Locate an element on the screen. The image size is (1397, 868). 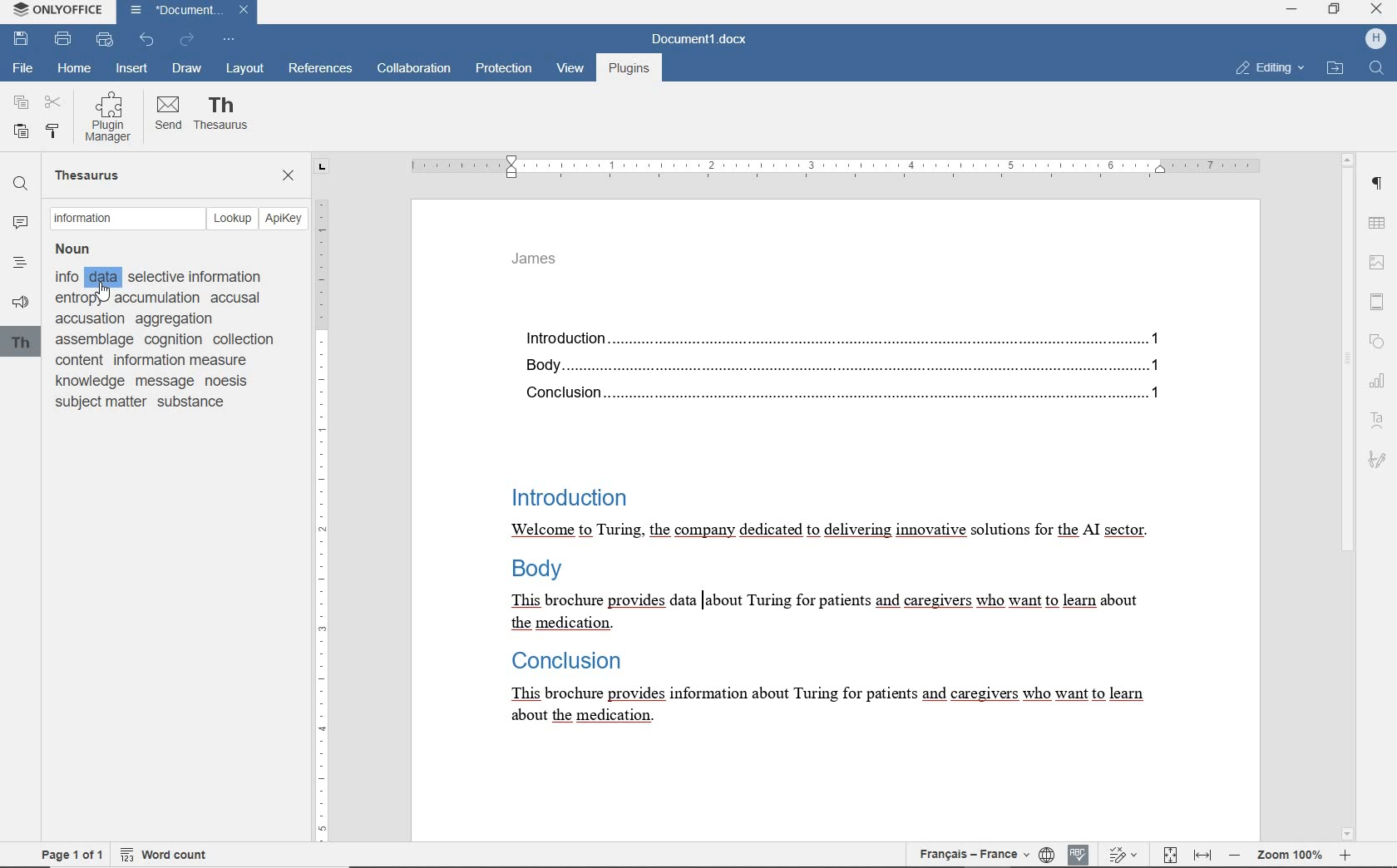
TEXT LANGUAGE is located at coordinates (975, 856).